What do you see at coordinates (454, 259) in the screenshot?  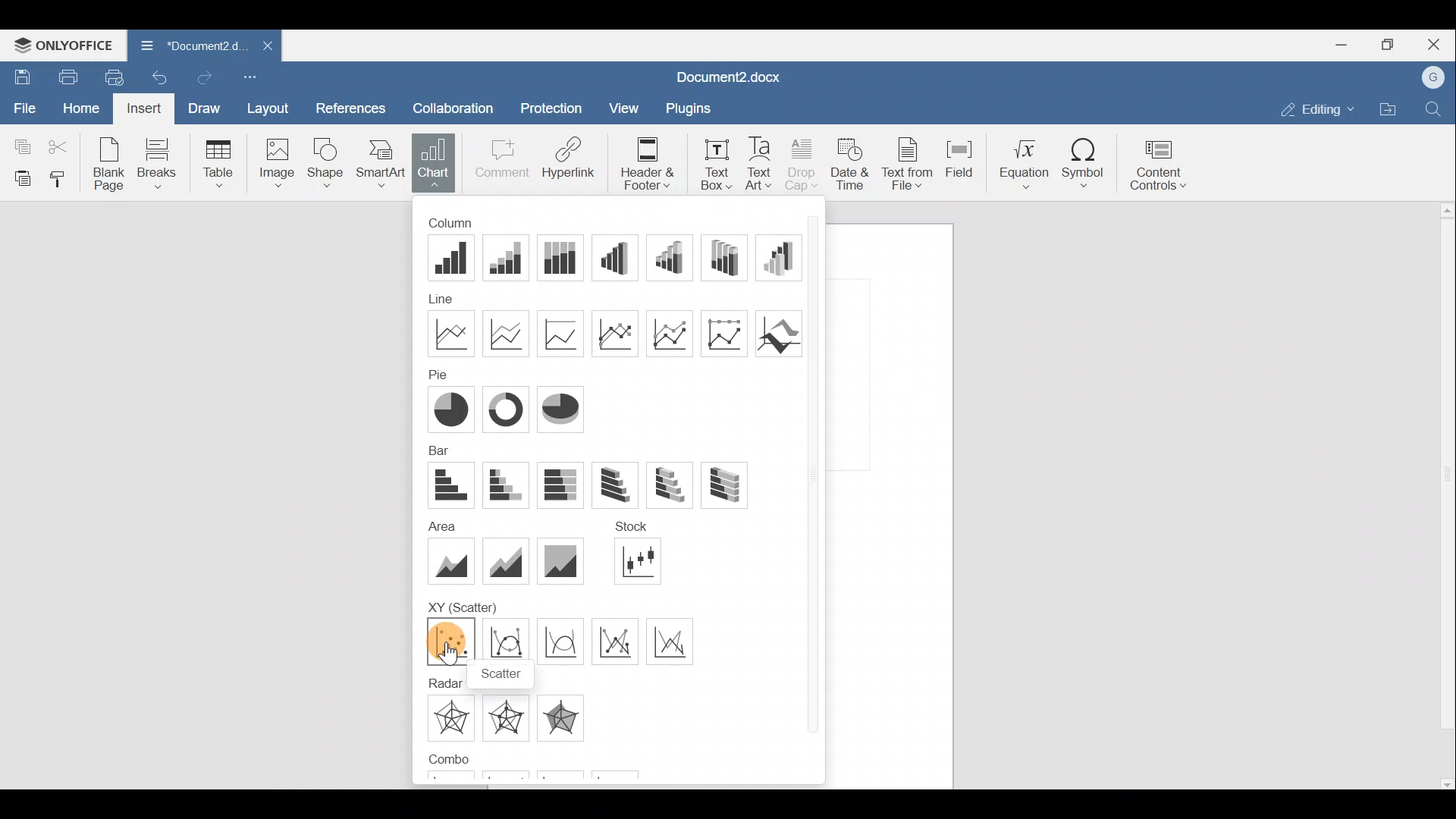 I see `Clustered column` at bounding box center [454, 259].